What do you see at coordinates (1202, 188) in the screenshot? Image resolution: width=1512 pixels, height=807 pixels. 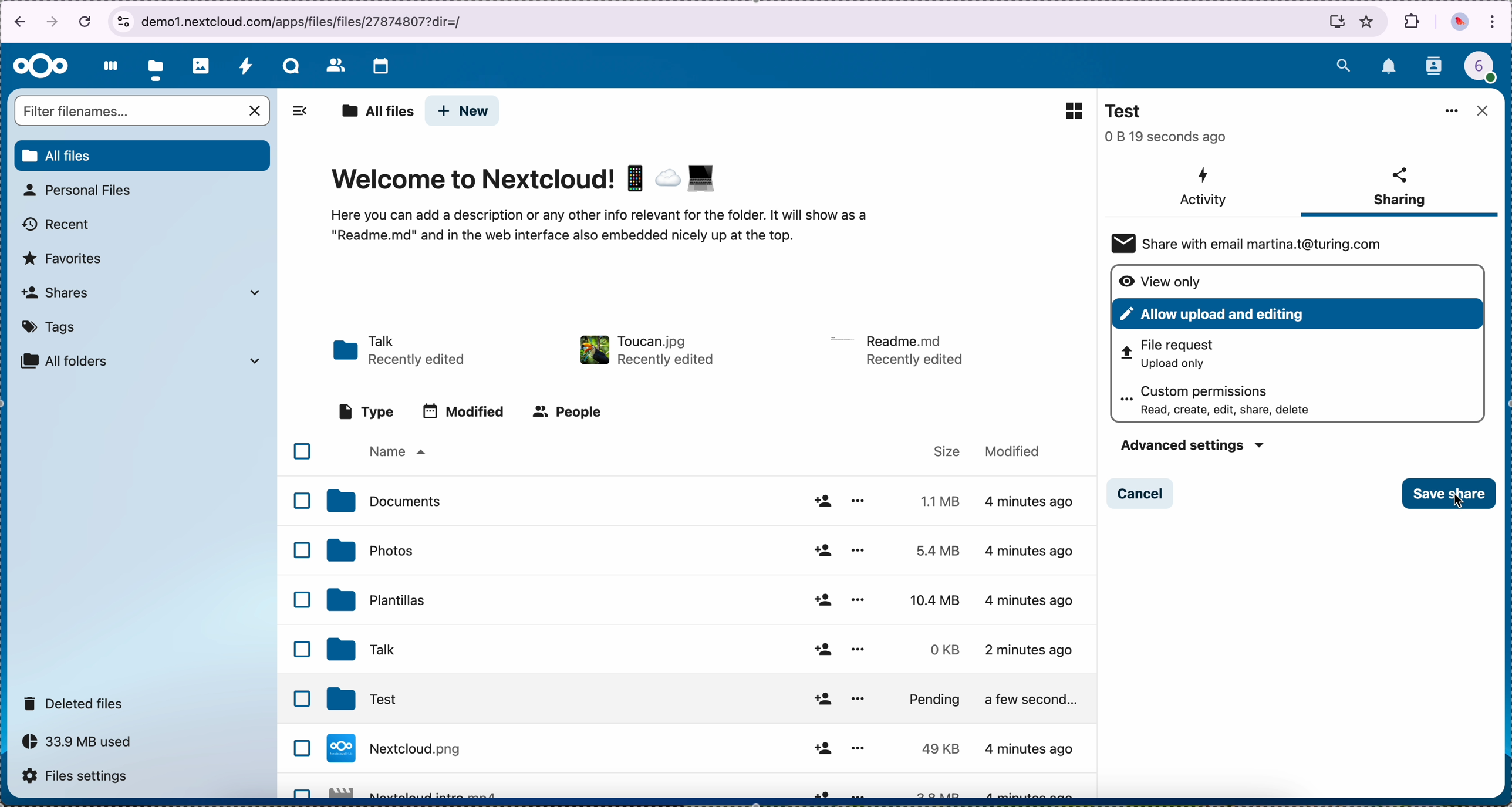 I see `activity` at bounding box center [1202, 188].